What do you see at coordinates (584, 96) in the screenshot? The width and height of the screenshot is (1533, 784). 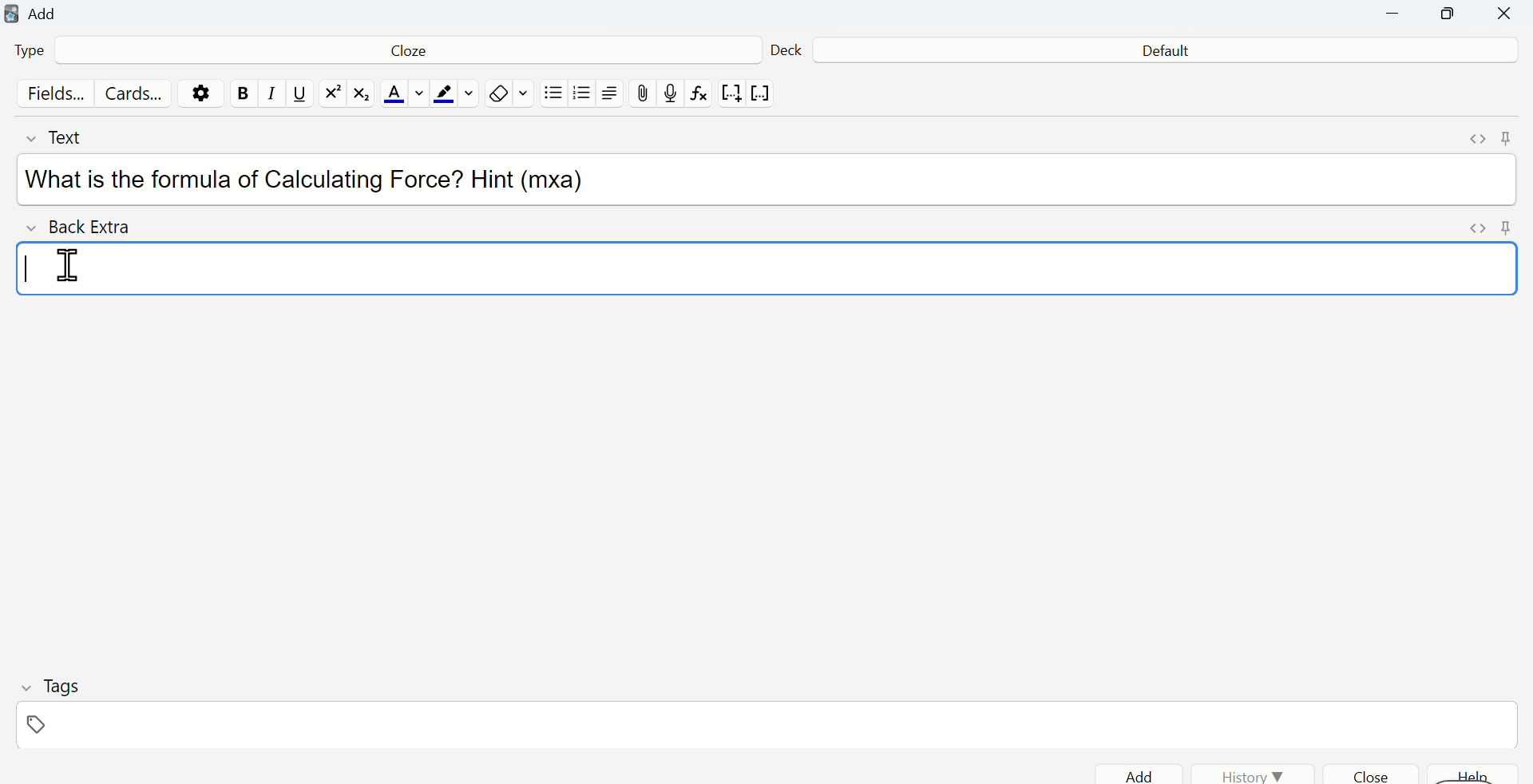 I see `Numbered list` at bounding box center [584, 96].